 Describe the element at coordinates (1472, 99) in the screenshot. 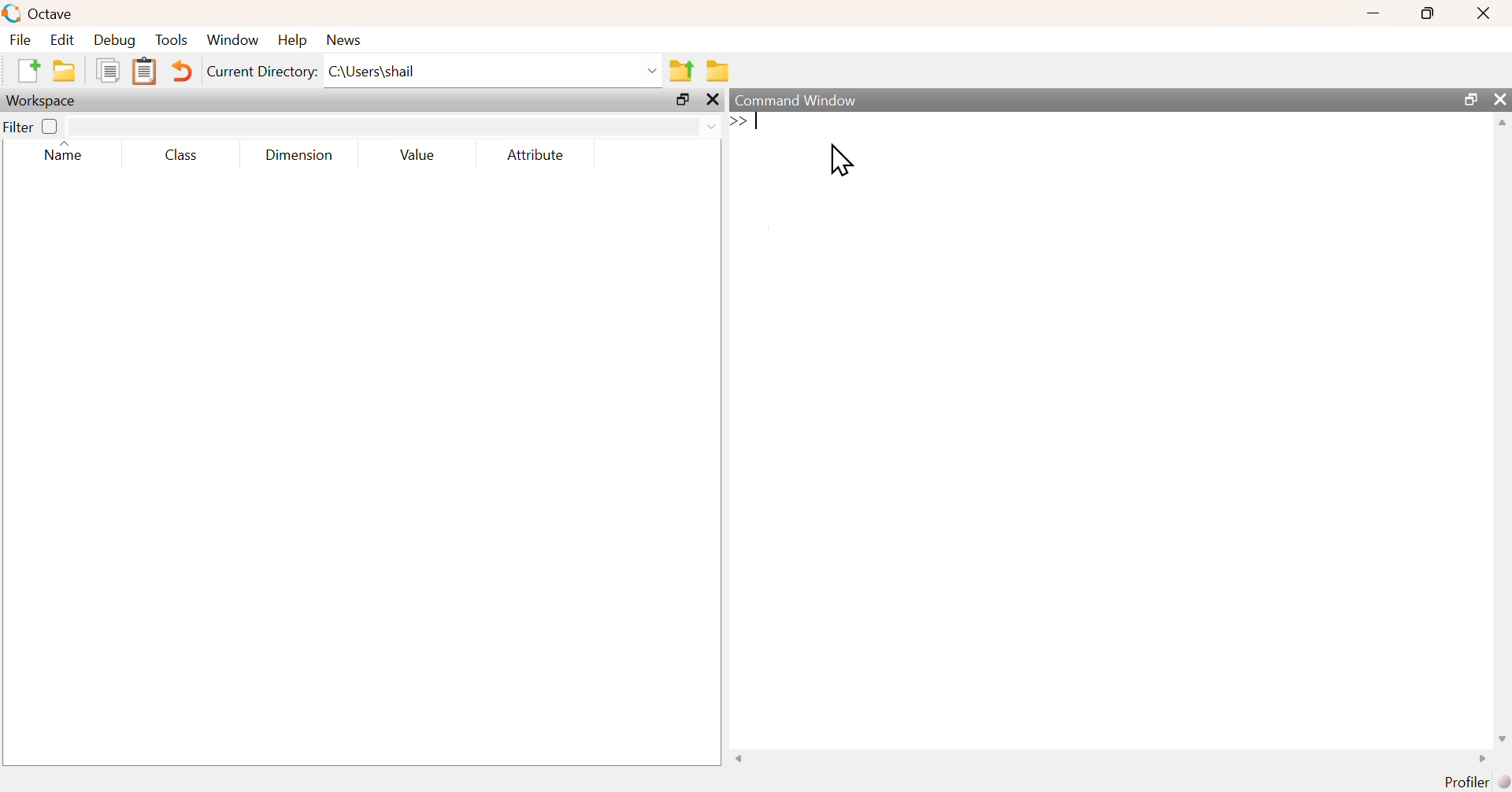

I see `Maximize` at that location.